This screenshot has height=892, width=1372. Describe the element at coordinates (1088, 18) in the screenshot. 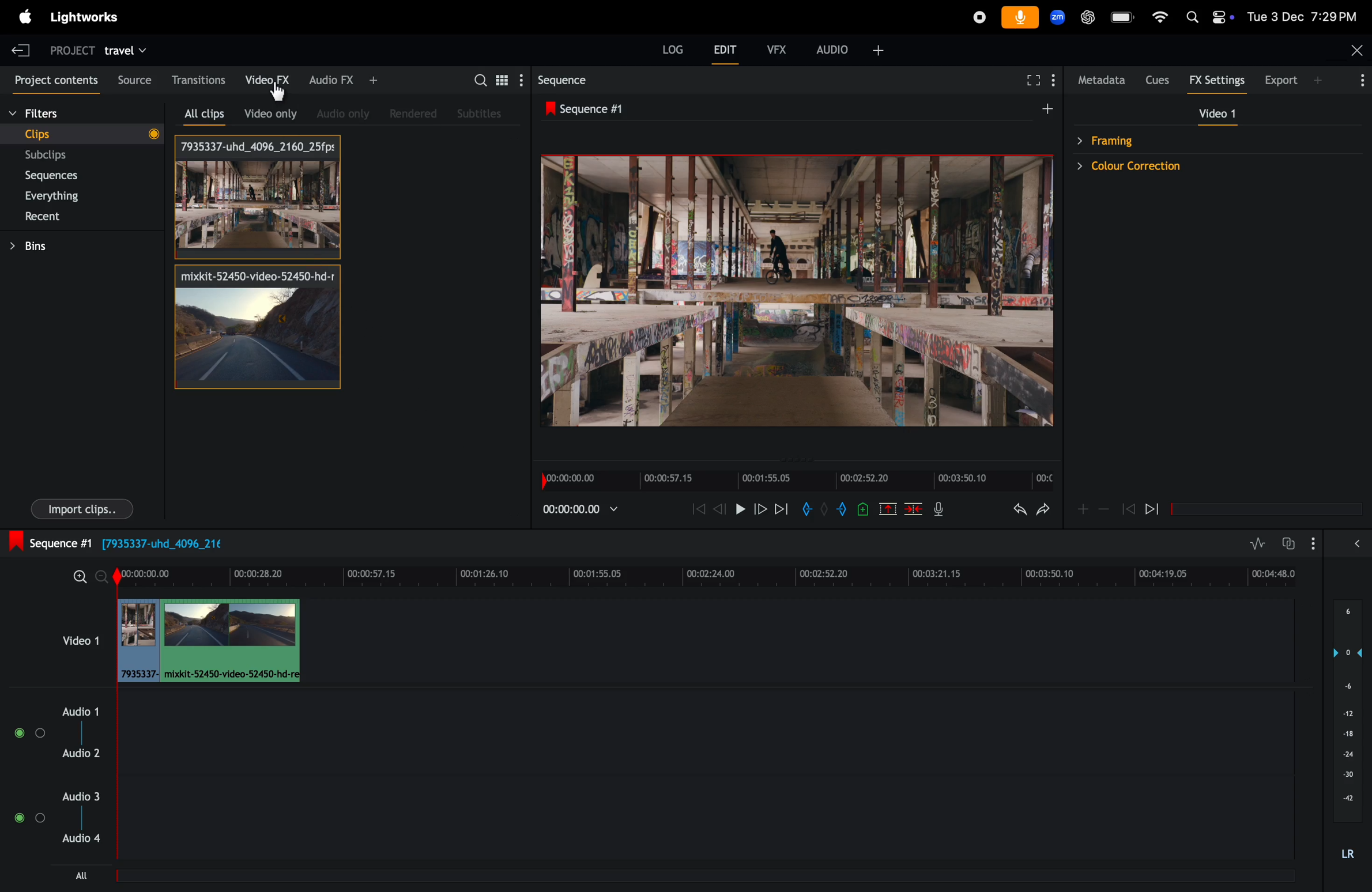

I see `chatgpt` at that location.